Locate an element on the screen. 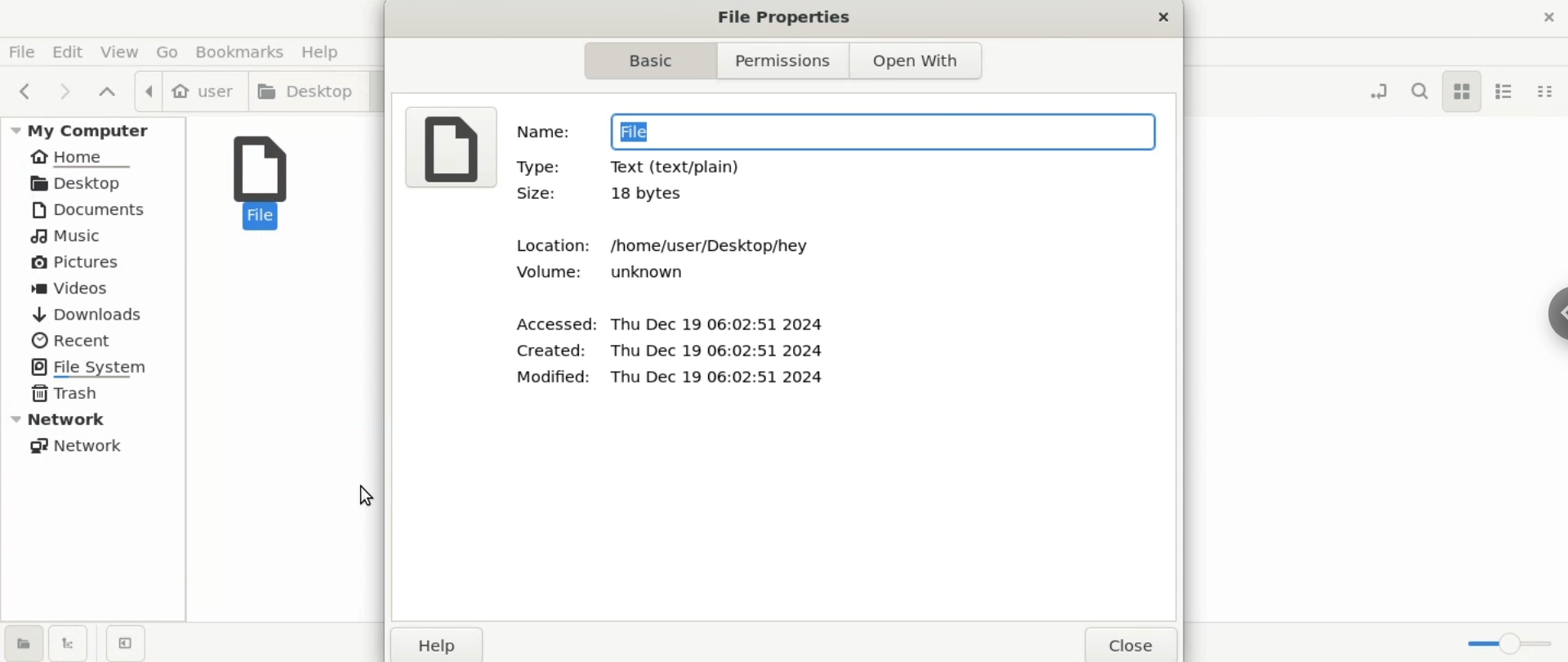 The width and height of the screenshot is (1568, 662). view is located at coordinates (120, 51).